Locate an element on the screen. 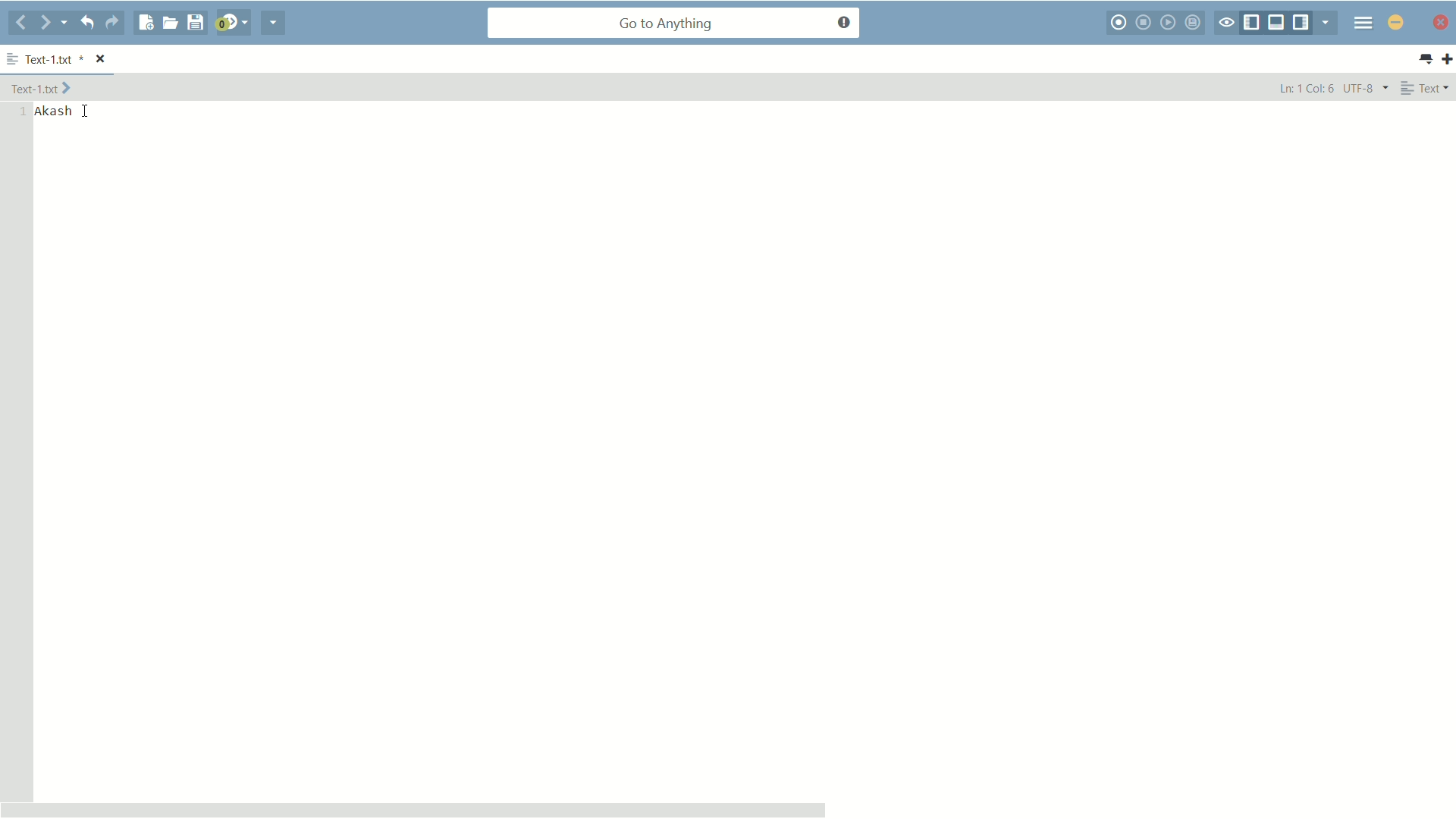 The width and height of the screenshot is (1456, 819). new file is located at coordinates (146, 23).